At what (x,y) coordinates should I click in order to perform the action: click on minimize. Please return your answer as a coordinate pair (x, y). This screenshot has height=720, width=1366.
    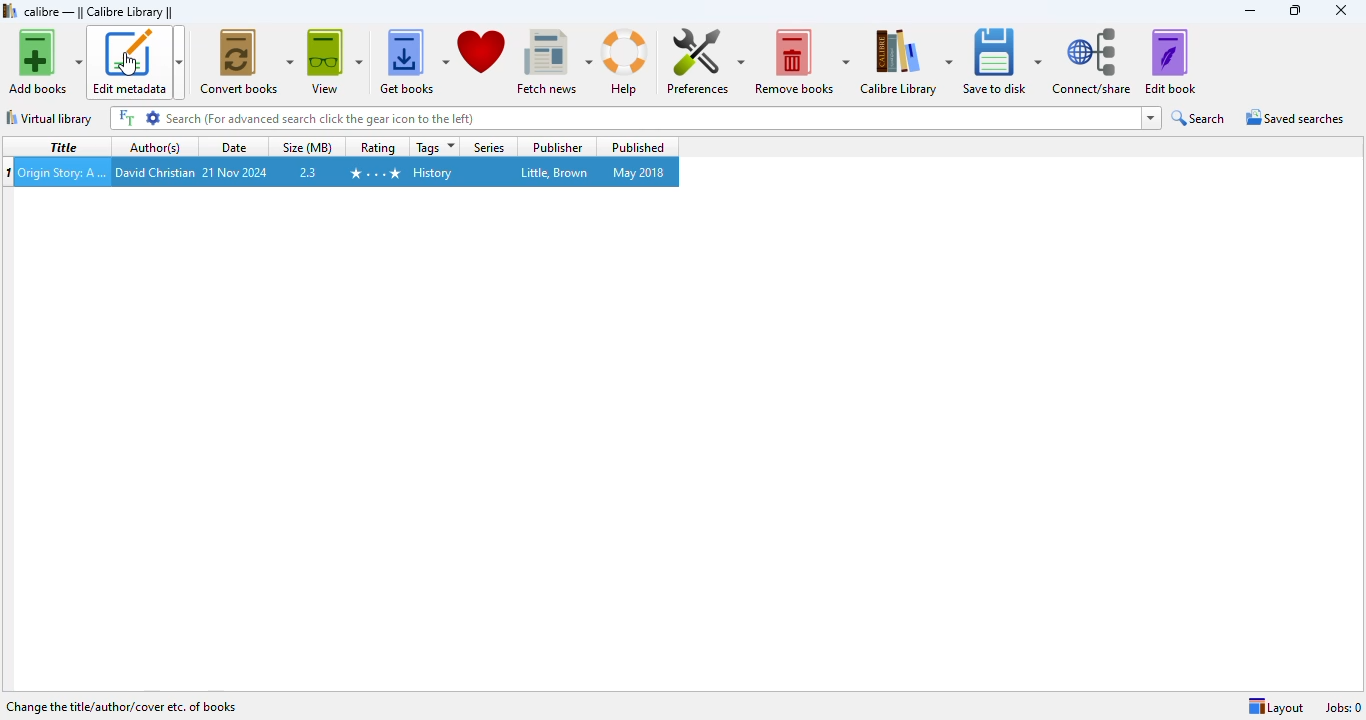
    Looking at the image, I should click on (1250, 10).